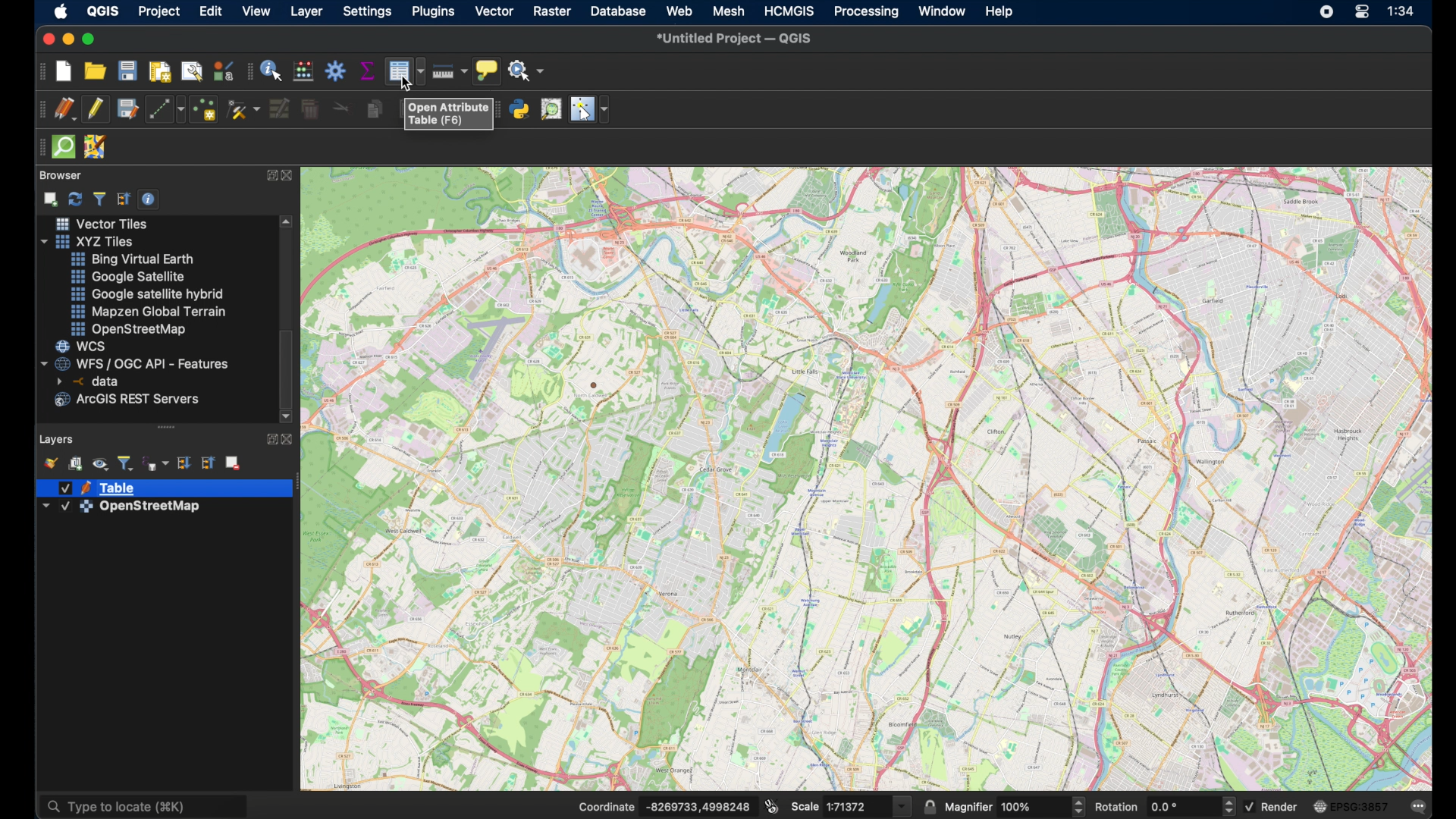 This screenshot has height=819, width=1456. I want to click on xyz tiles, so click(87, 240).